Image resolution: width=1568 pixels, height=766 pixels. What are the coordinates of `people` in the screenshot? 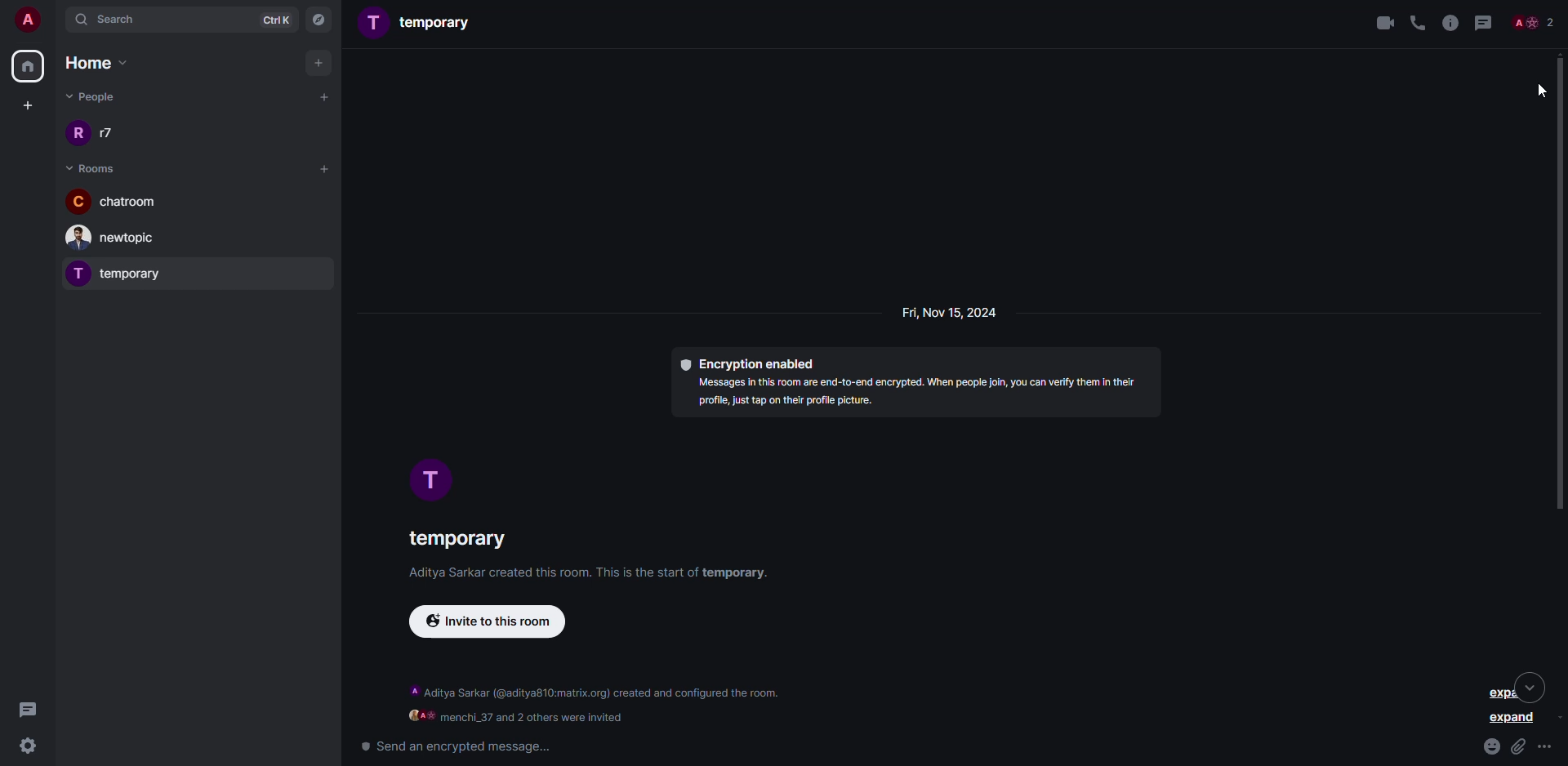 It's located at (1534, 21).